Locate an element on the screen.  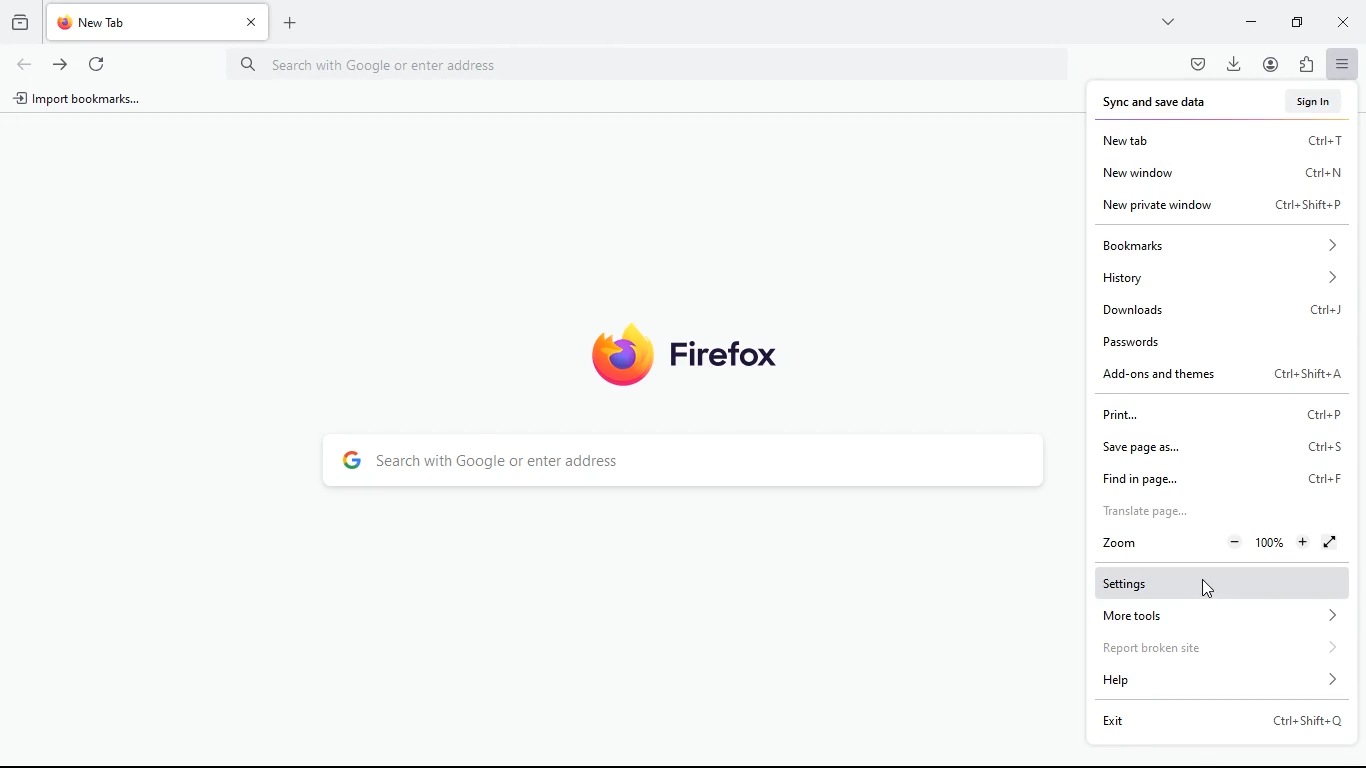
passwords is located at coordinates (1228, 340).